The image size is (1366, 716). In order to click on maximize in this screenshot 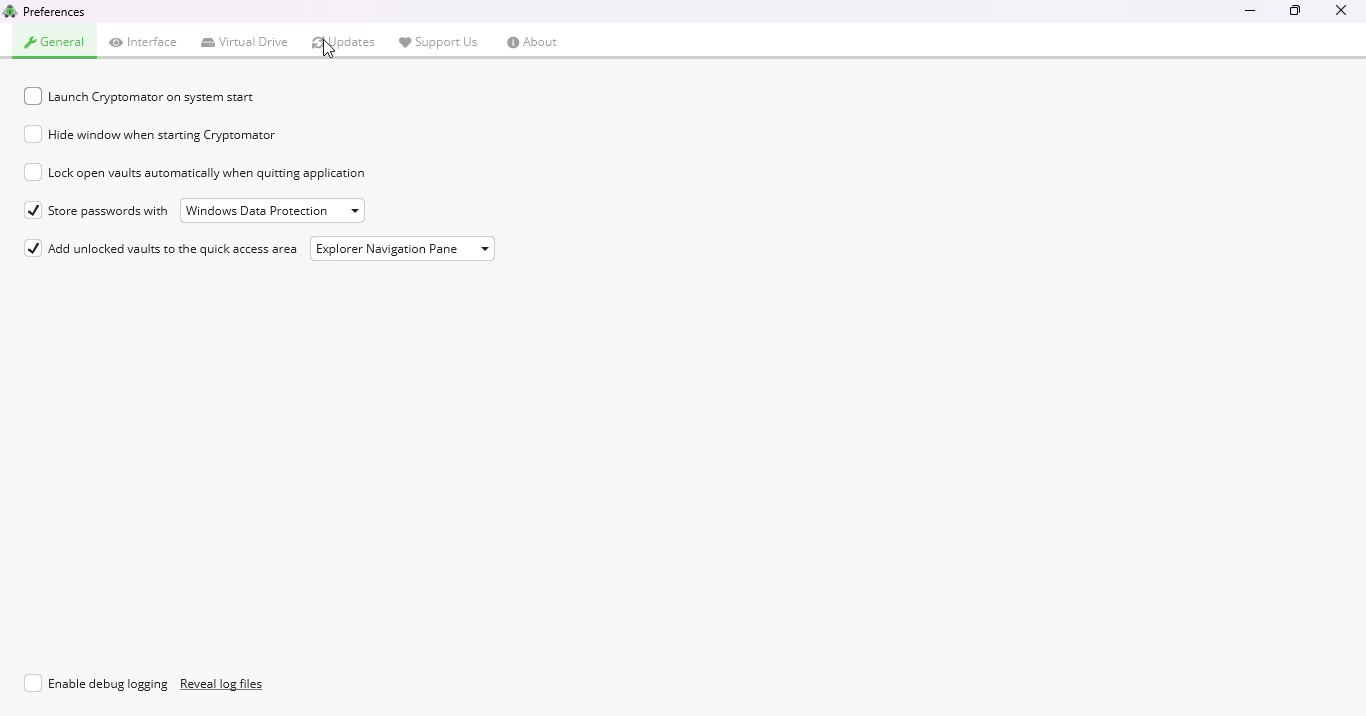, I will do `click(1296, 10)`.